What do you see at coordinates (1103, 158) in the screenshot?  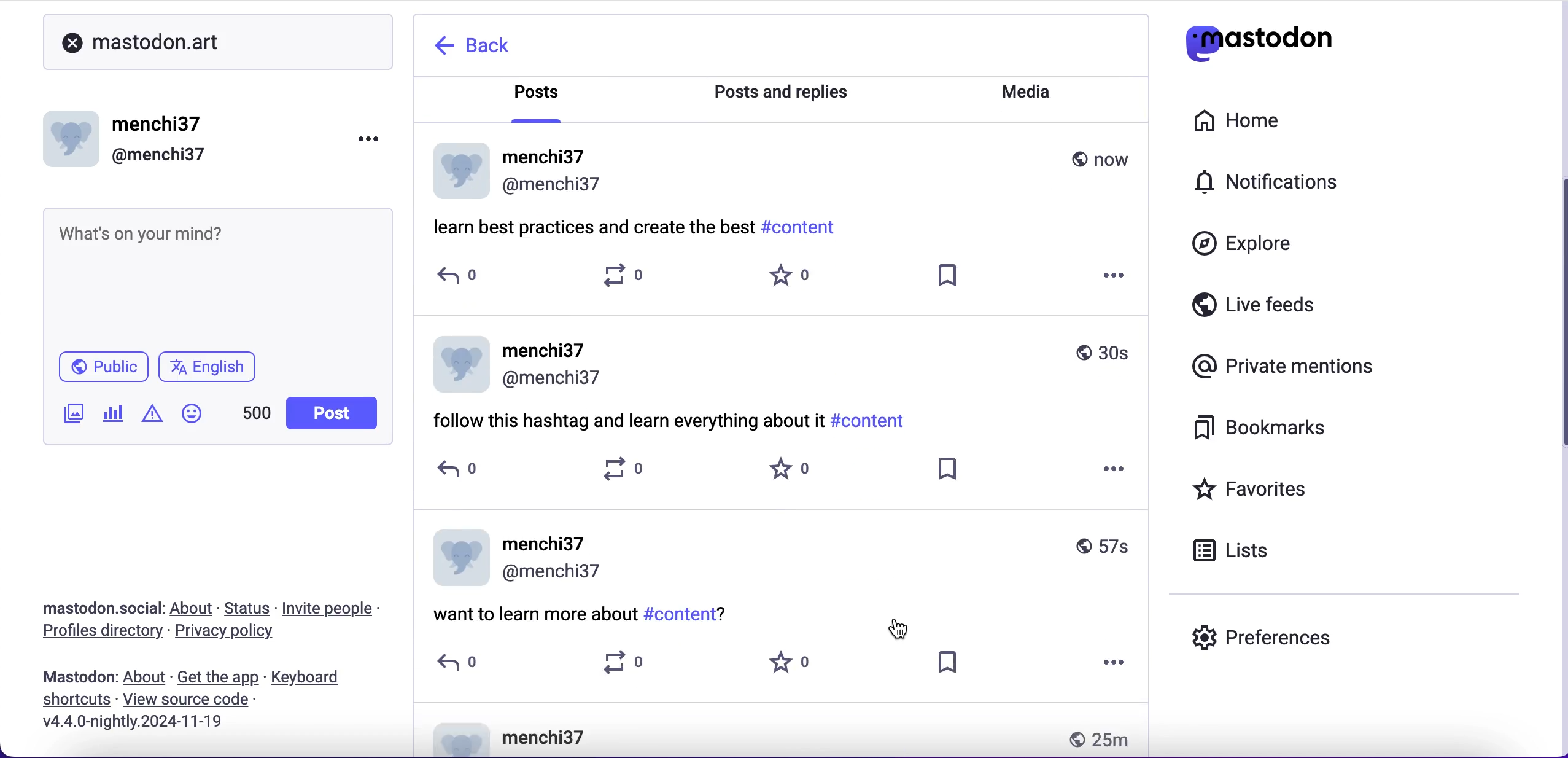 I see `now` at bounding box center [1103, 158].